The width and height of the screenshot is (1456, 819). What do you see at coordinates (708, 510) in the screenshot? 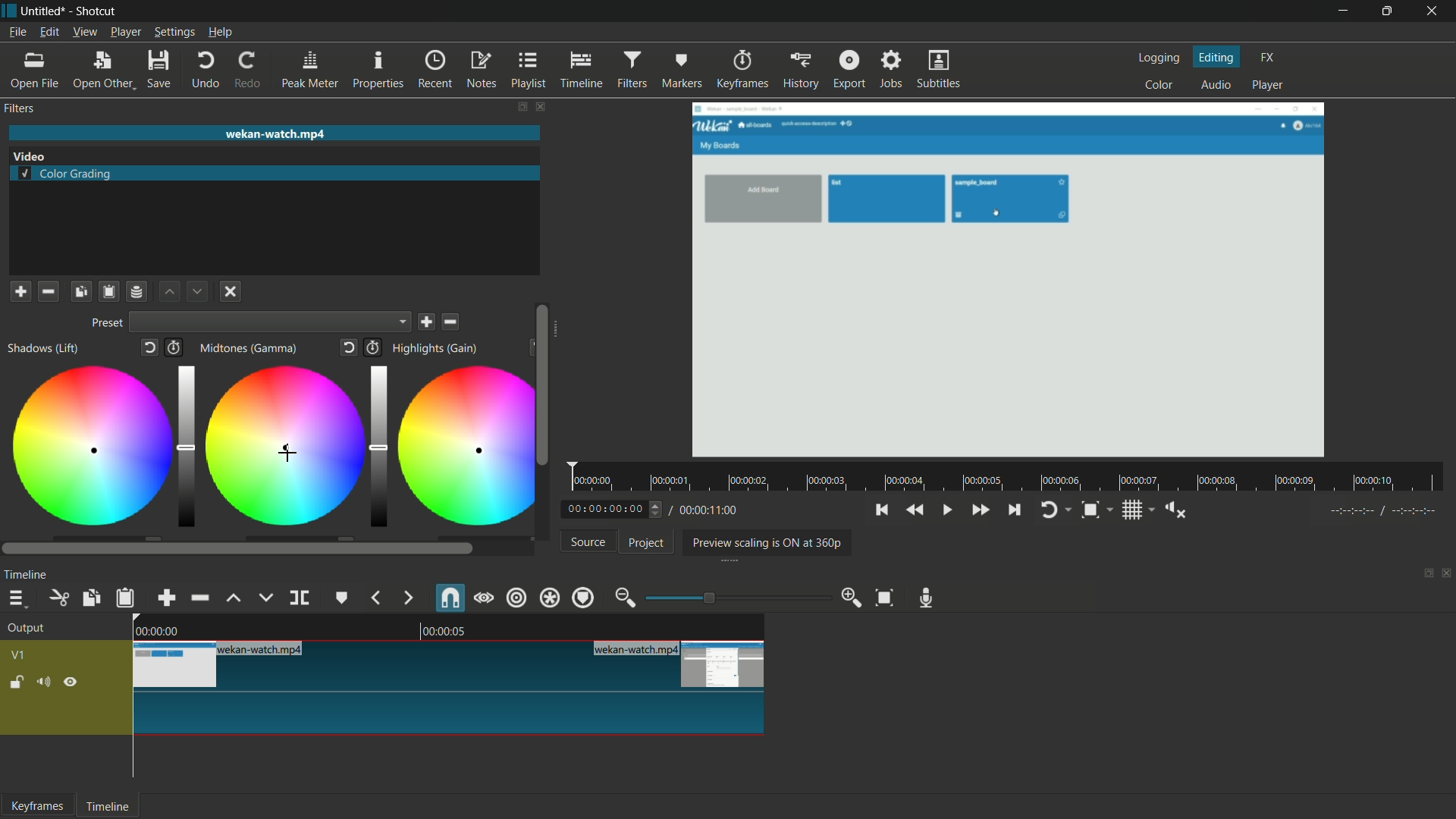
I see `total time` at bounding box center [708, 510].